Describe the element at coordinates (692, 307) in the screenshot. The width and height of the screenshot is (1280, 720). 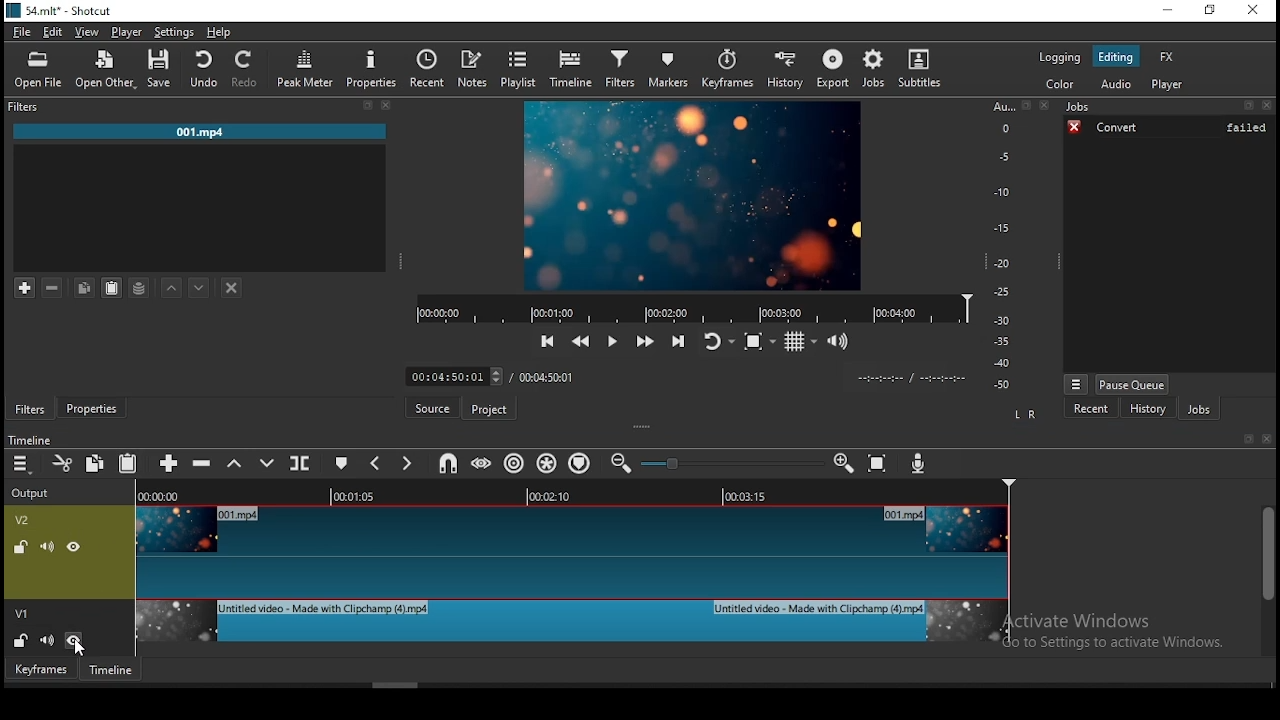
I see `timeline` at that location.